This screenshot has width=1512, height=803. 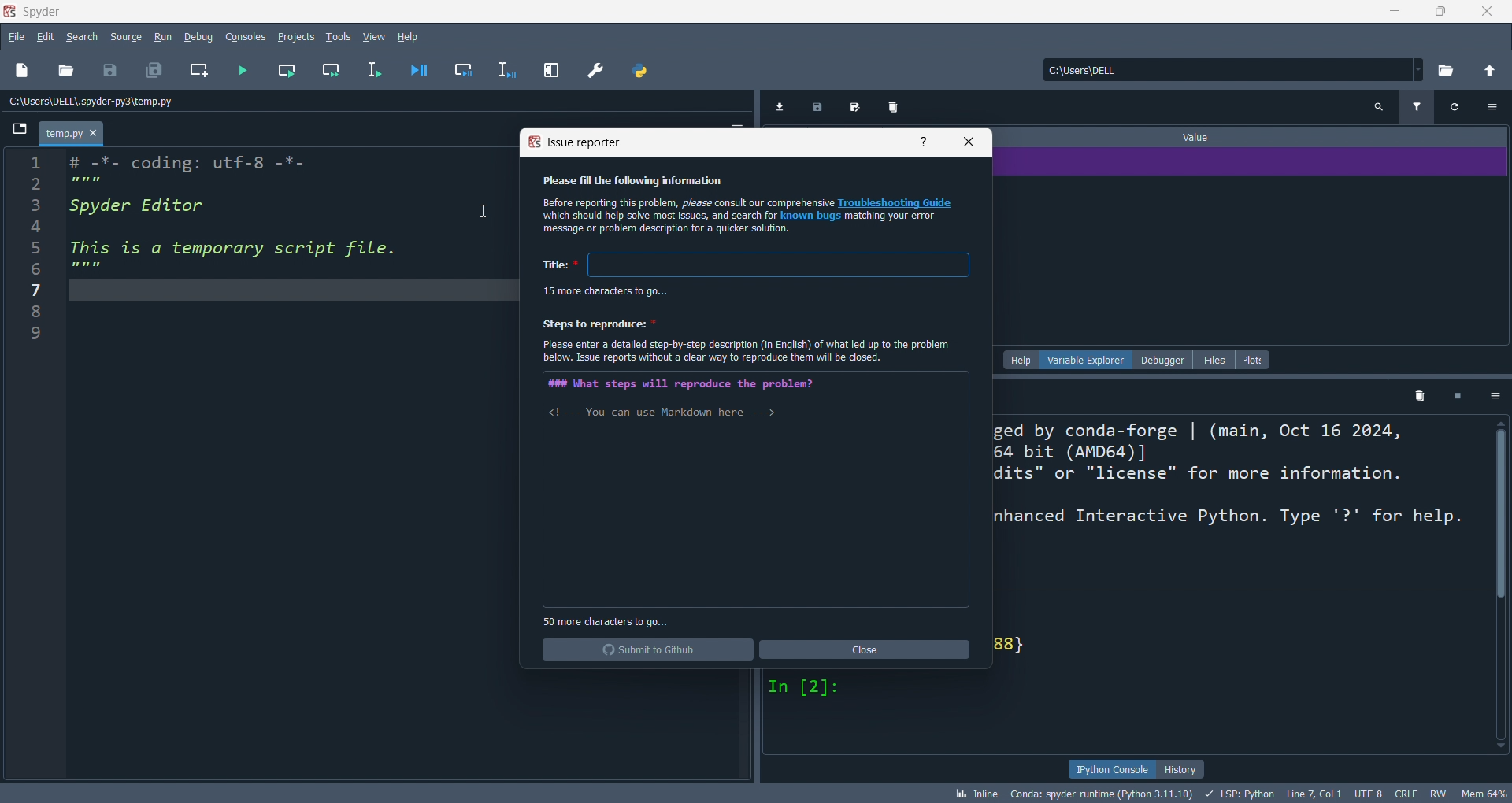 I want to click on Settings, so click(x=1494, y=396).